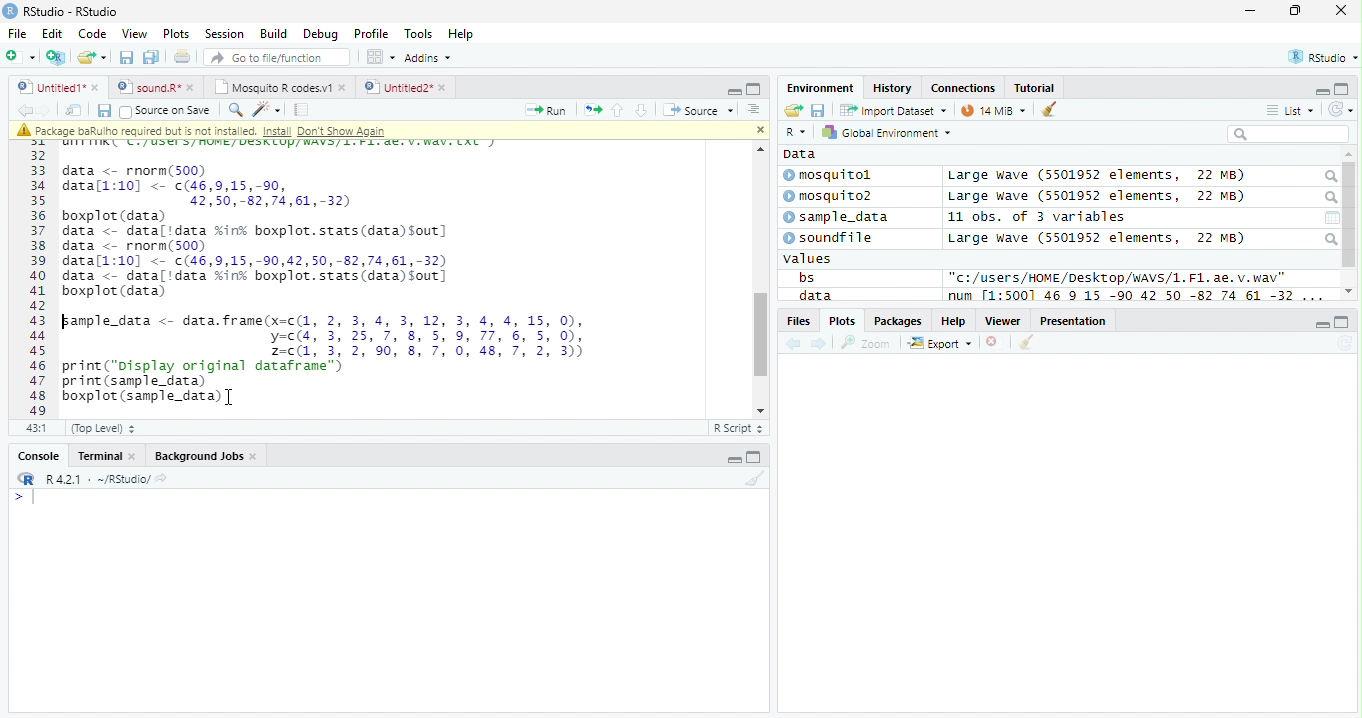 The width and height of the screenshot is (1362, 718). I want to click on scroll down, so click(756, 410).